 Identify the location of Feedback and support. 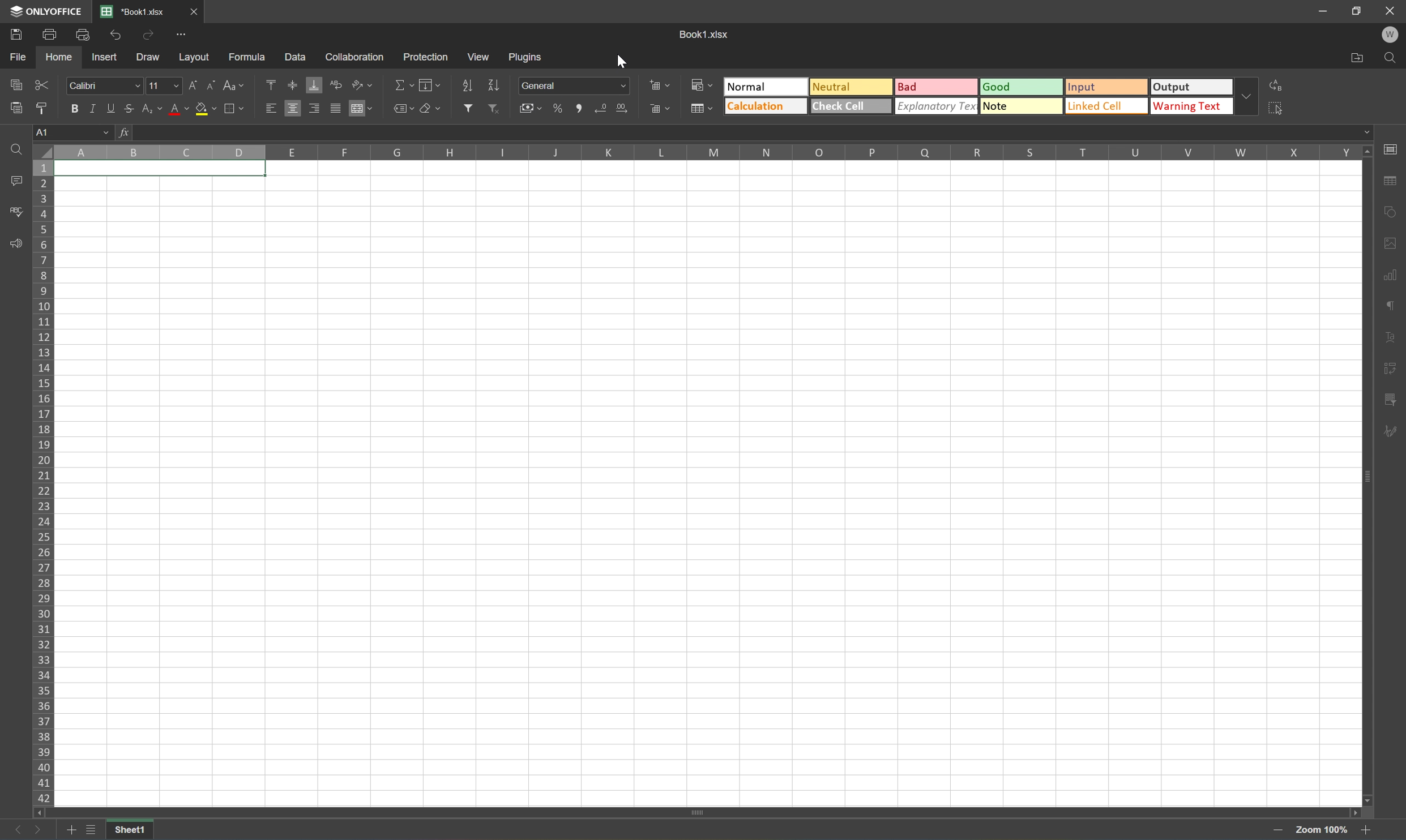
(16, 243).